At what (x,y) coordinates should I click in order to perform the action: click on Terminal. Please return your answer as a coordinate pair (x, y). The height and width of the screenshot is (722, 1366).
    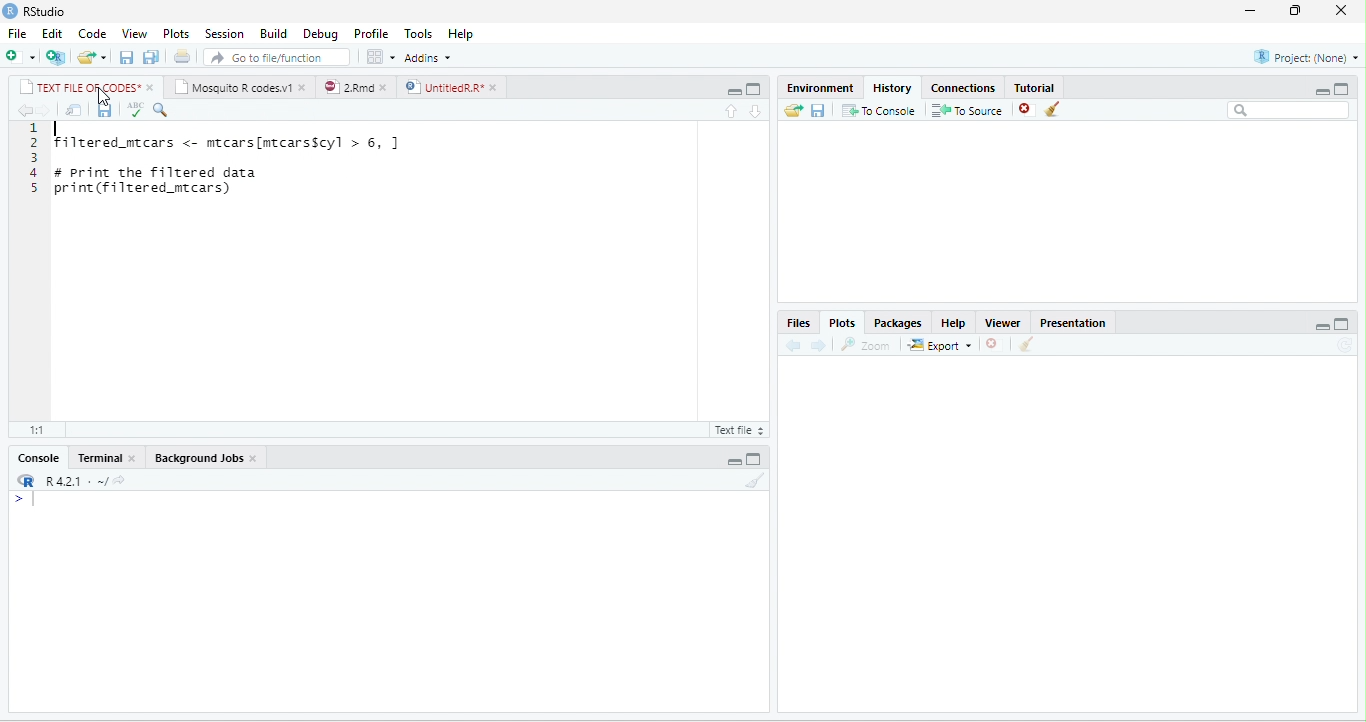
    Looking at the image, I should click on (97, 457).